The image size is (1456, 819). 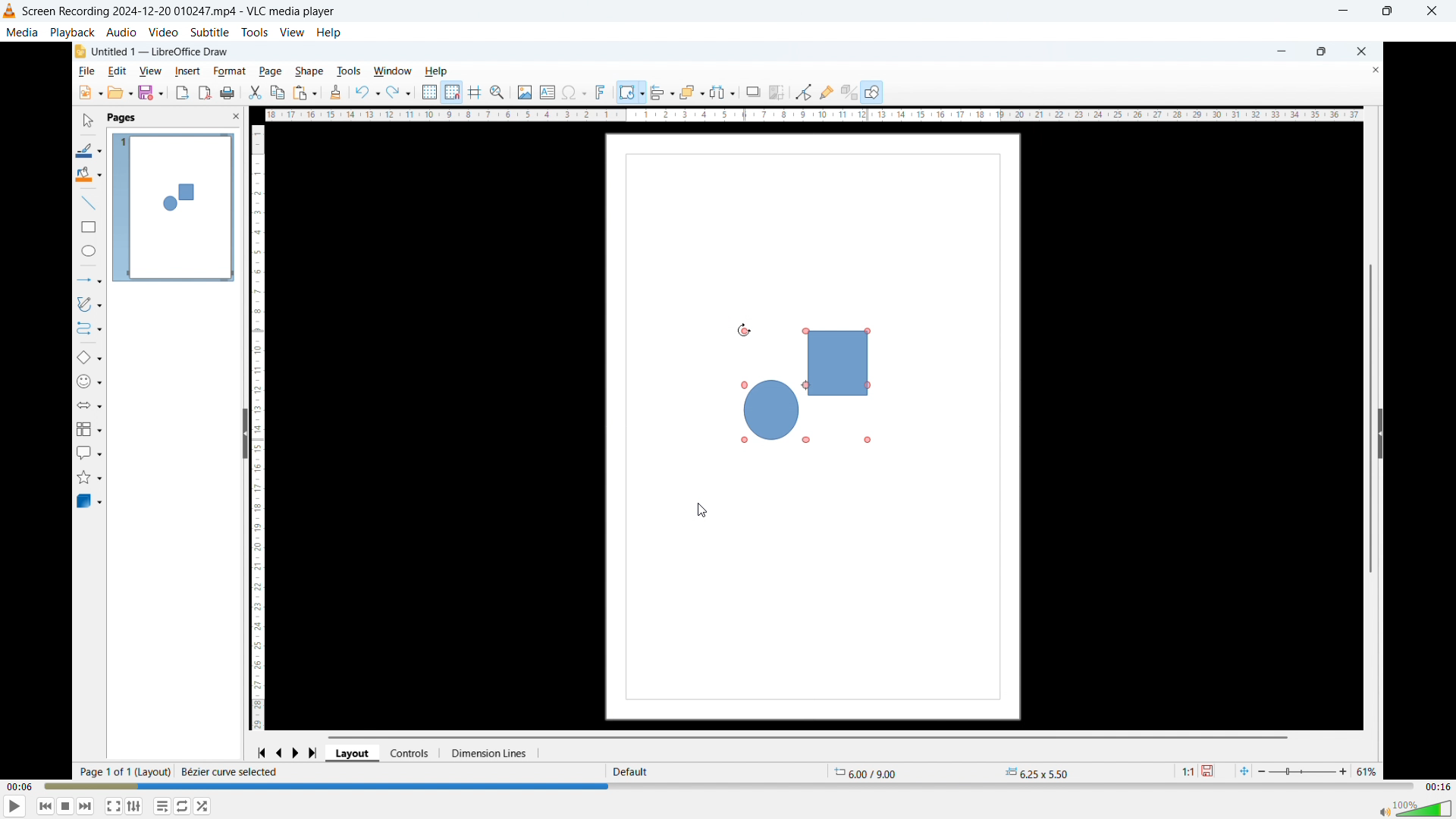 I want to click on Stop playing , so click(x=66, y=806).